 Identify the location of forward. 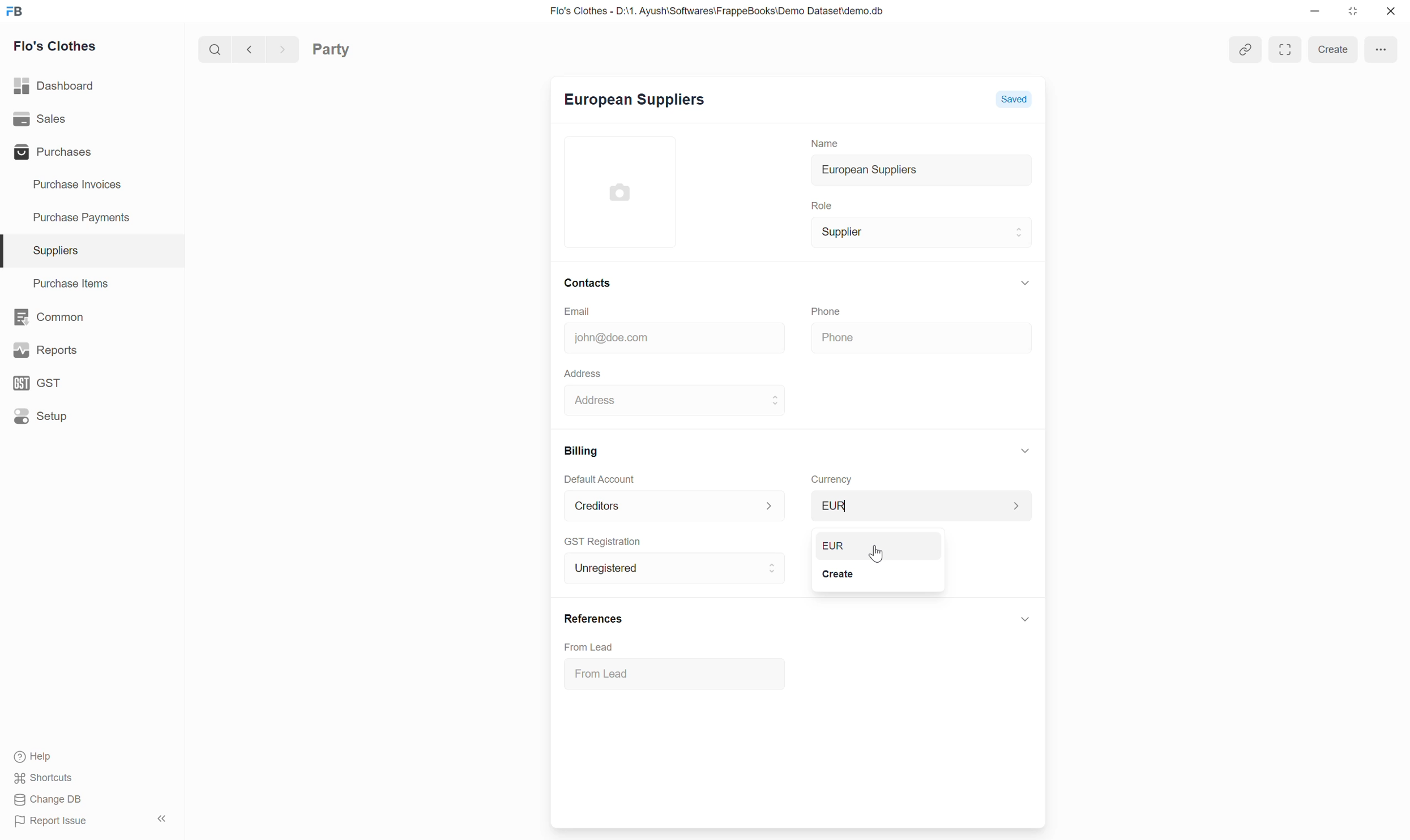
(279, 48).